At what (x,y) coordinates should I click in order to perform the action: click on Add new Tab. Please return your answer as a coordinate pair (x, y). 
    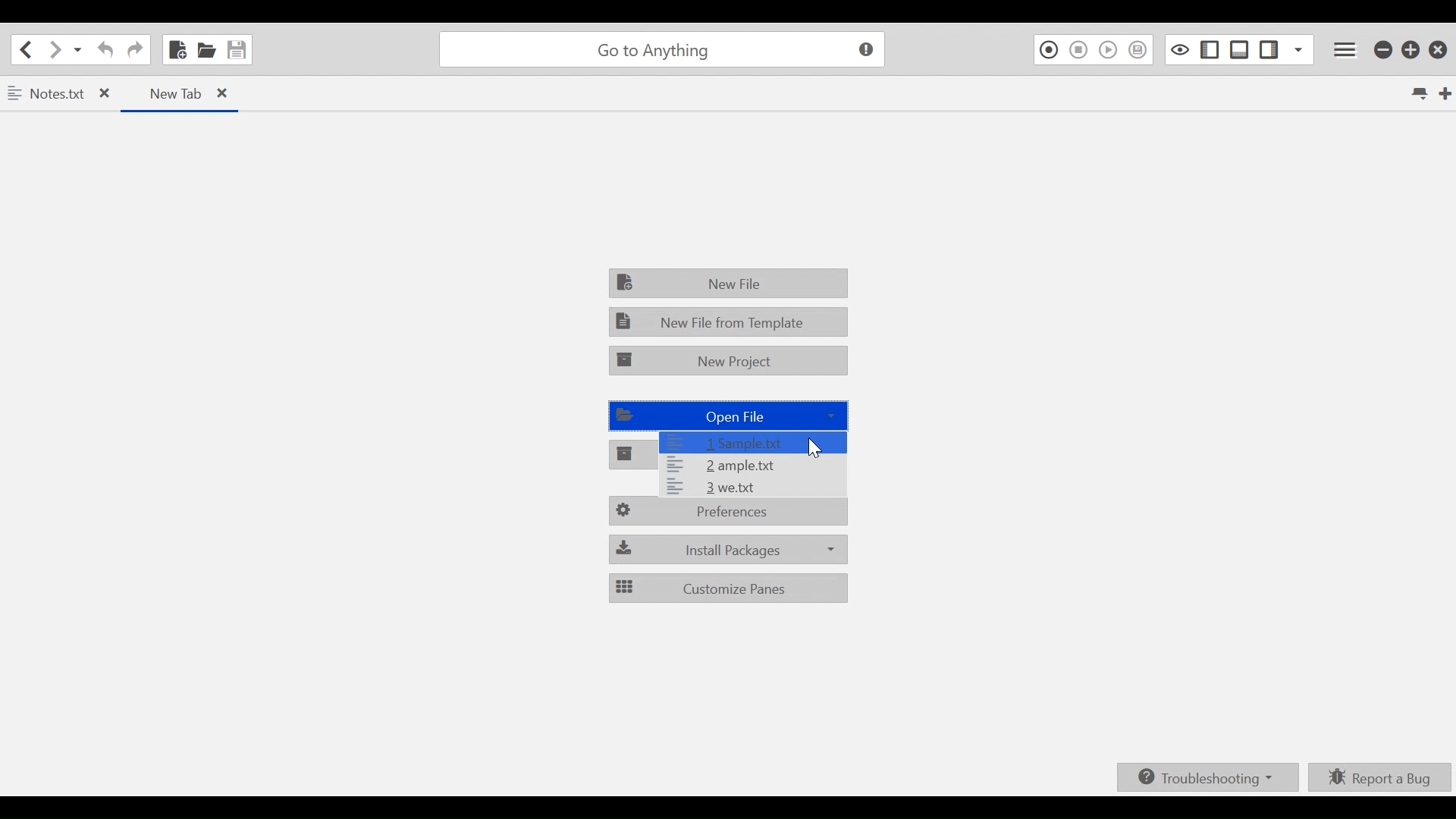
    Looking at the image, I should click on (1447, 93).